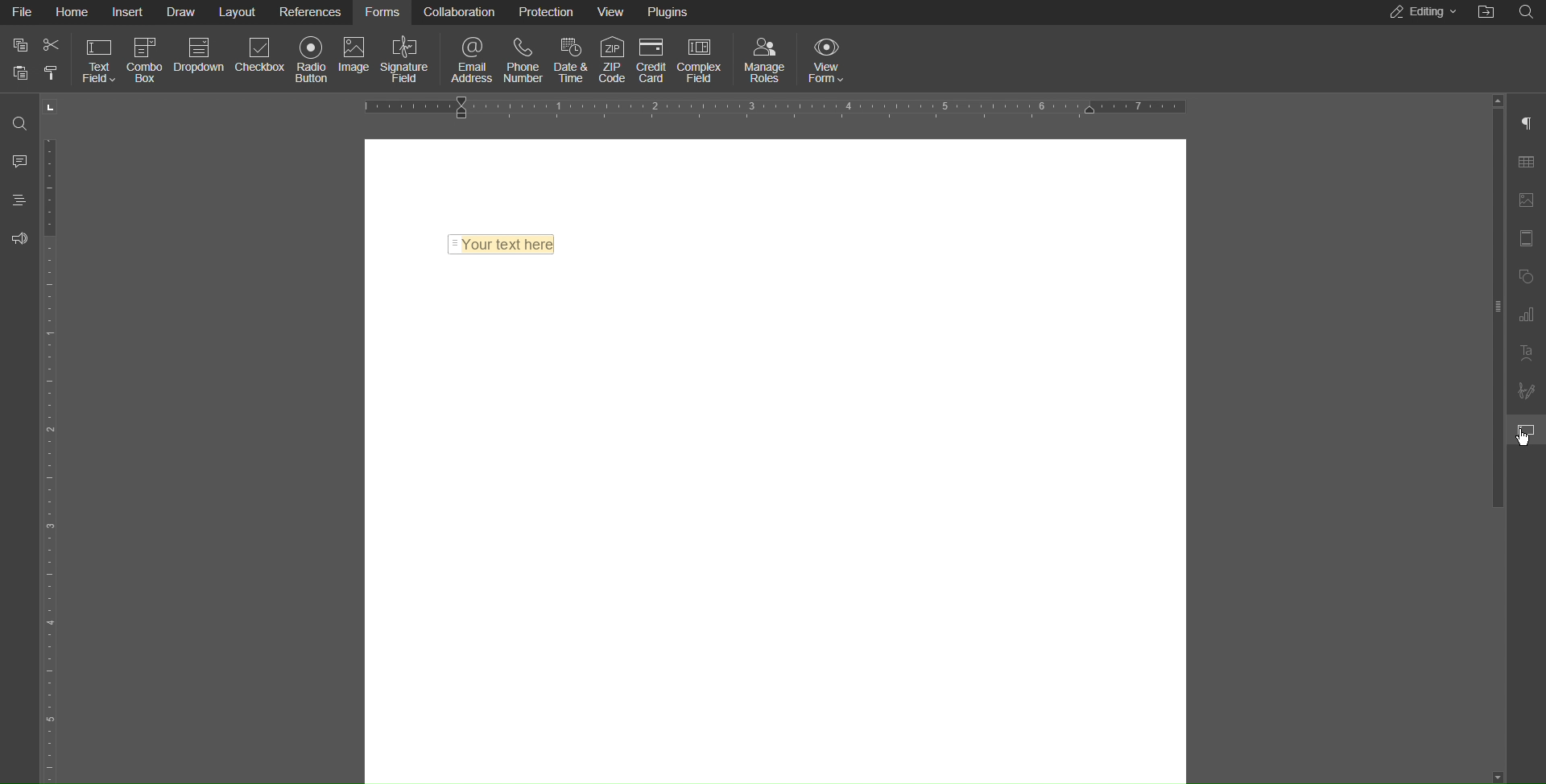  Describe the element at coordinates (1532, 122) in the screenshot. I see `Paragraph Settings` at that location.